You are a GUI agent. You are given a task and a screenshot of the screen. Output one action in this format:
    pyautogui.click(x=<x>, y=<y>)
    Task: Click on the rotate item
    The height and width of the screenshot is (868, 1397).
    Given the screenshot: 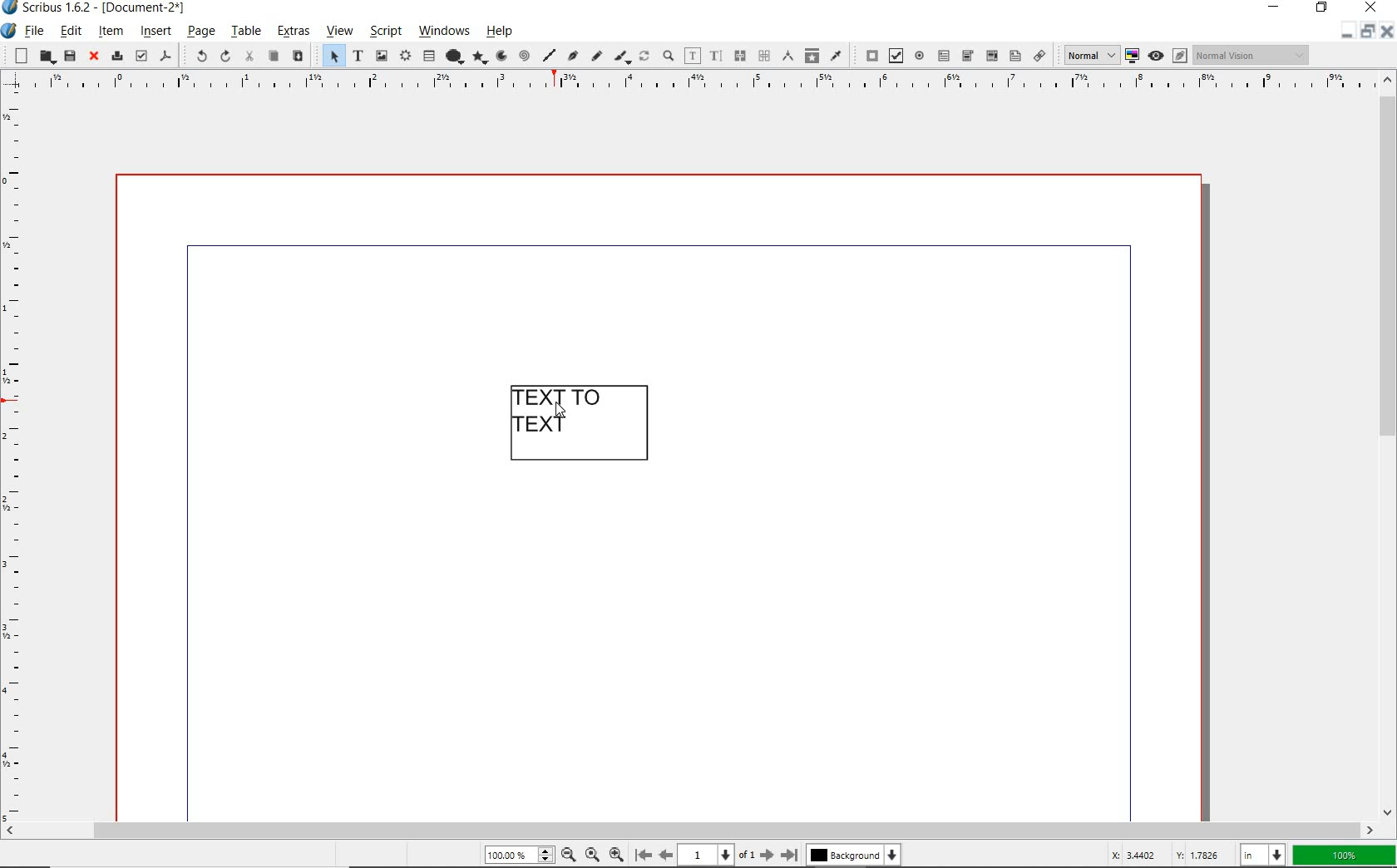 What is the action you would take?
    pyautogui.click(x=643, y=57)
    